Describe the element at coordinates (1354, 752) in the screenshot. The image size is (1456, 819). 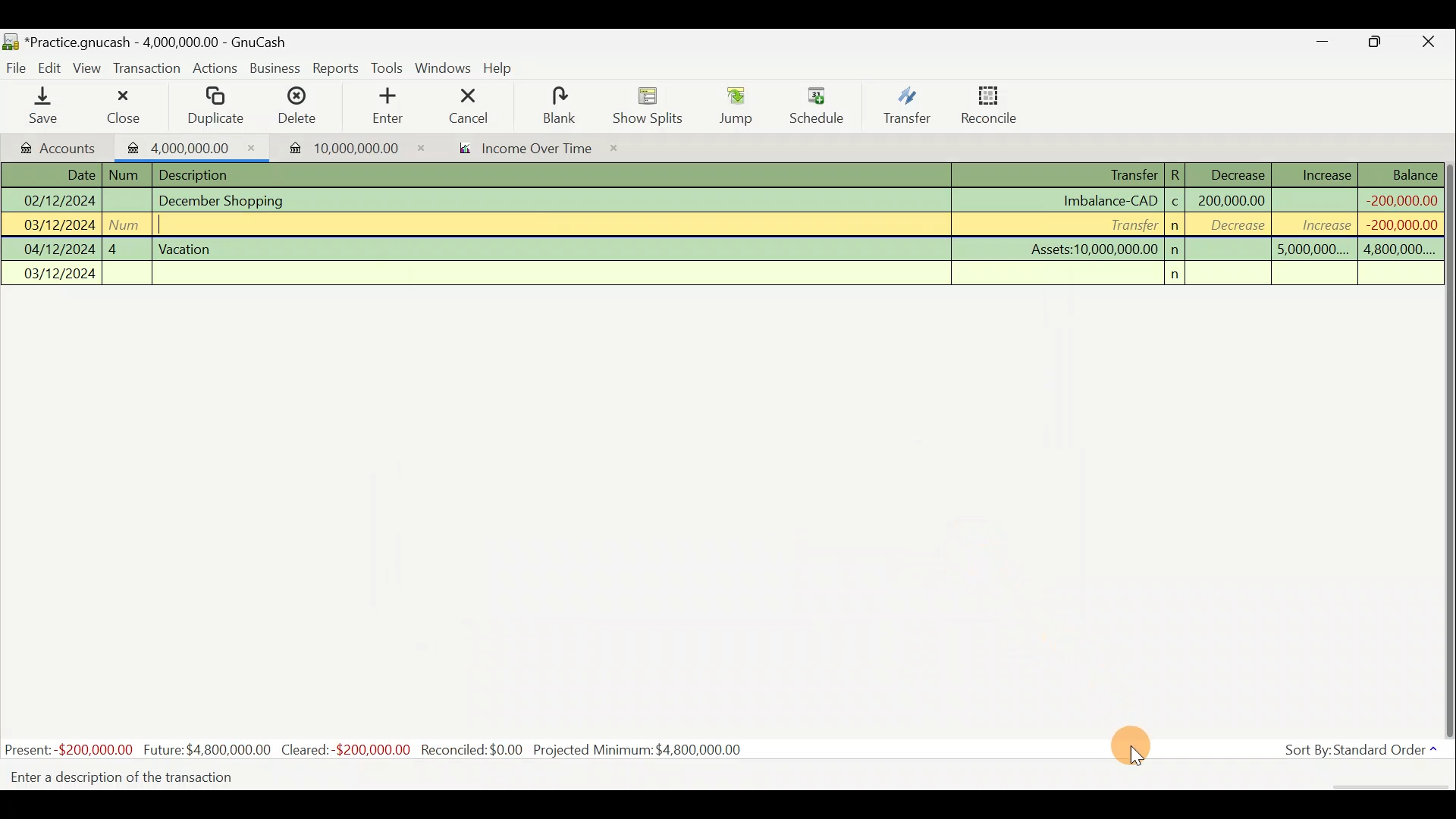
I see `Sort by` at that location.